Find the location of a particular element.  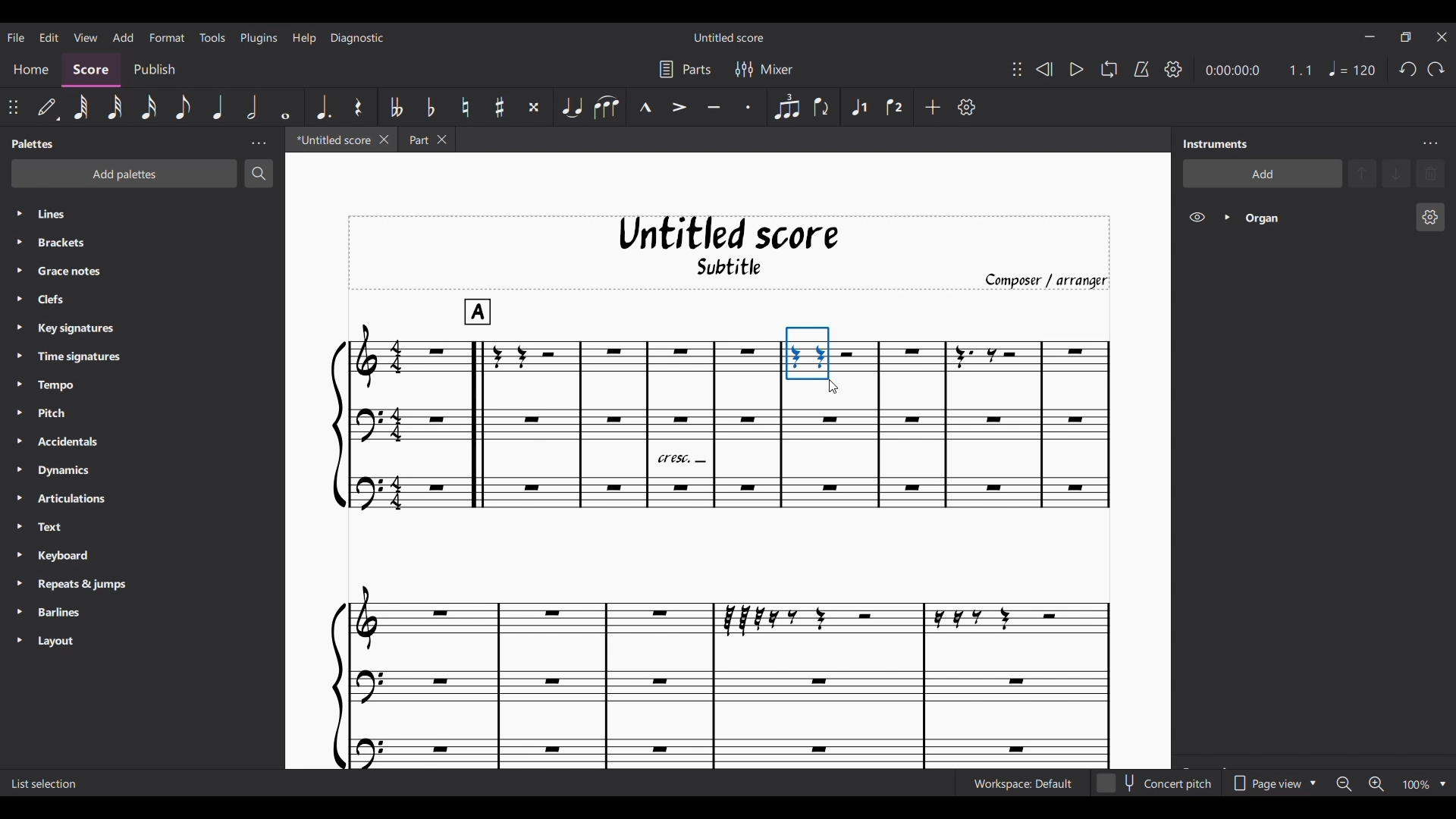

Toggle sharp is located at coordinates (500, 108).